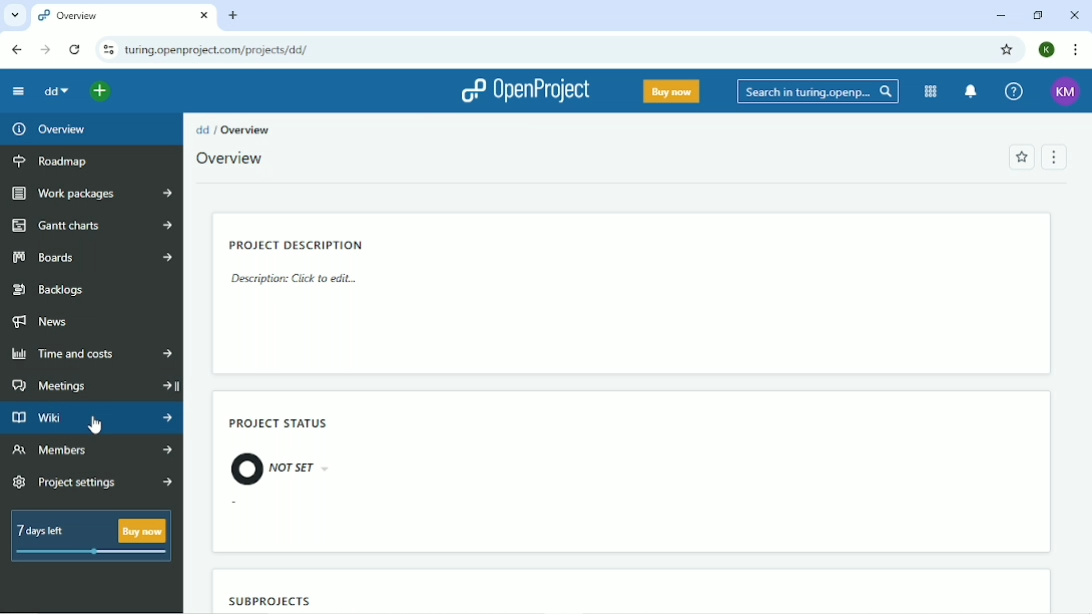  I want to click on Close, so click(1074, 17).